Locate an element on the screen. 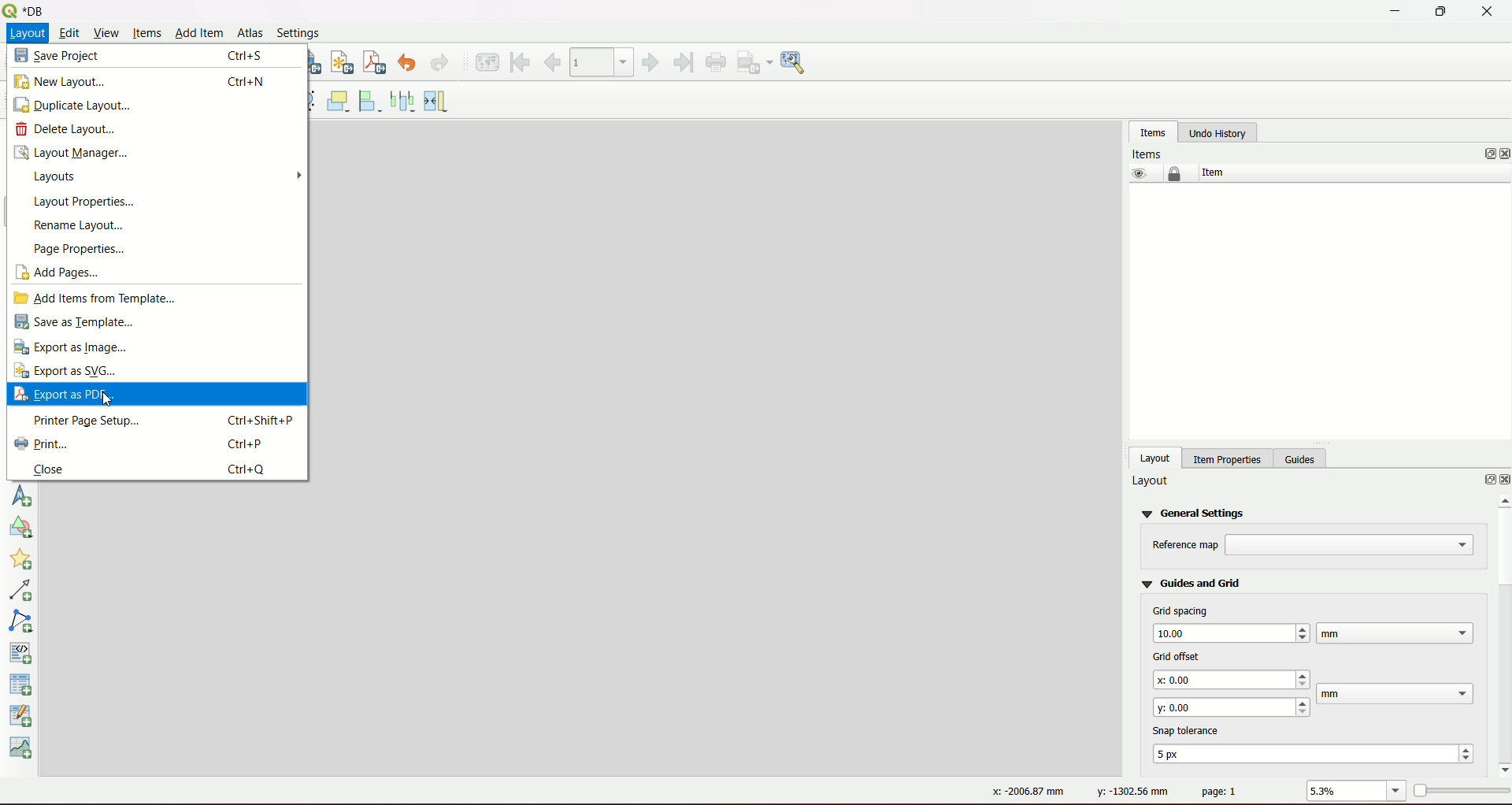 The image size is (1512, 805). add note item is located at coordinates (23, 620).